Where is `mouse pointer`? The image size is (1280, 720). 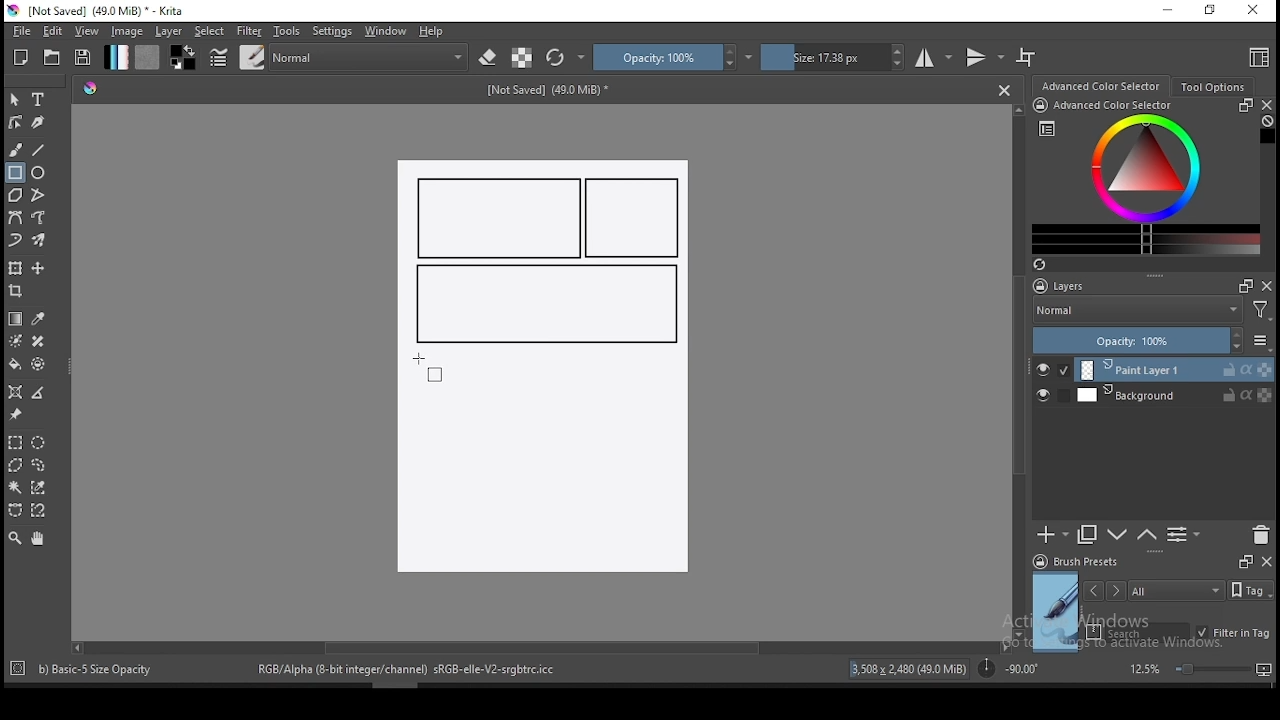
mouse pointer is located at coordinates (430, 370).